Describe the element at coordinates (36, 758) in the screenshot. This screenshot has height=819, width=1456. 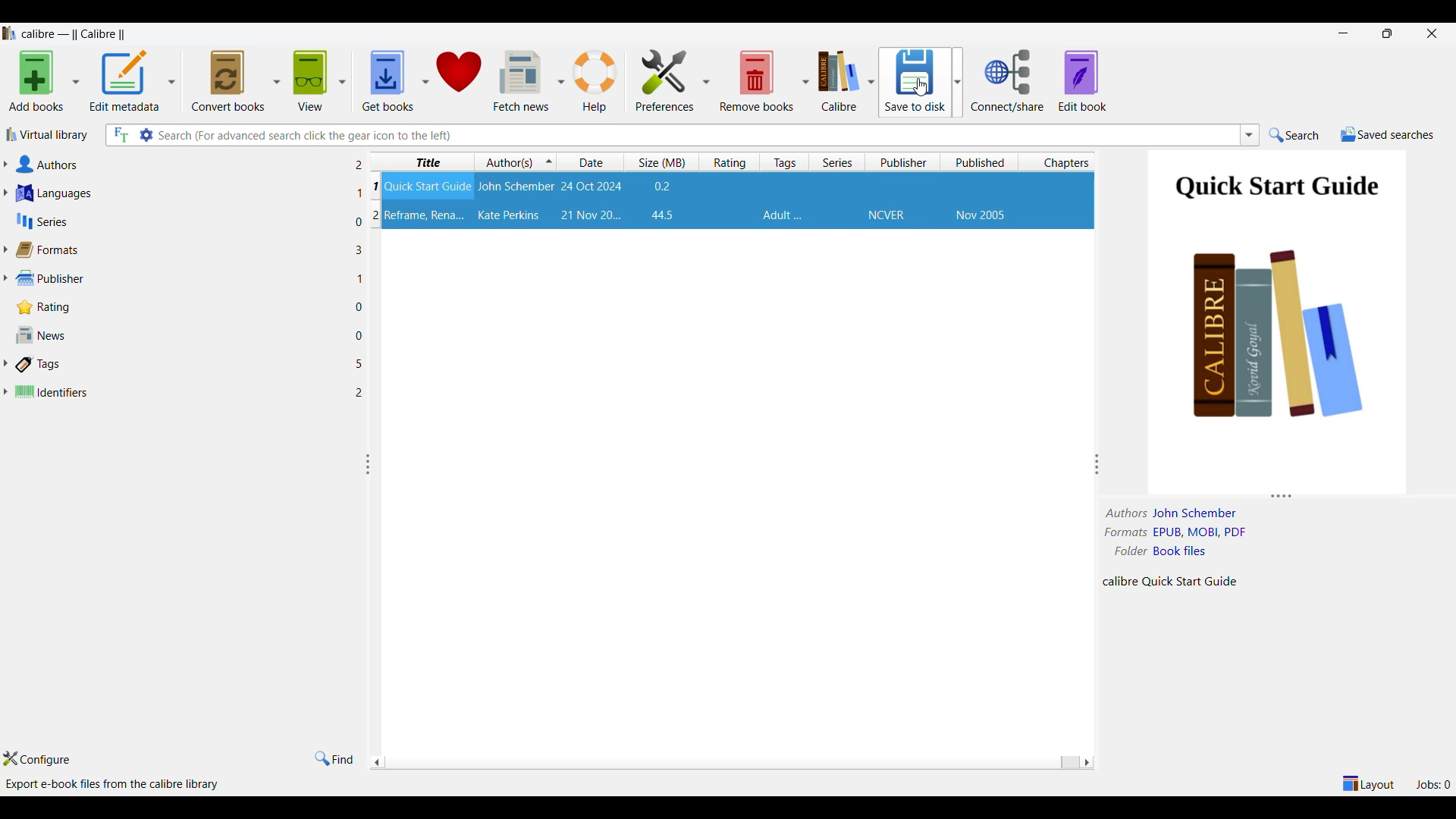
I see `Configure` at that location.